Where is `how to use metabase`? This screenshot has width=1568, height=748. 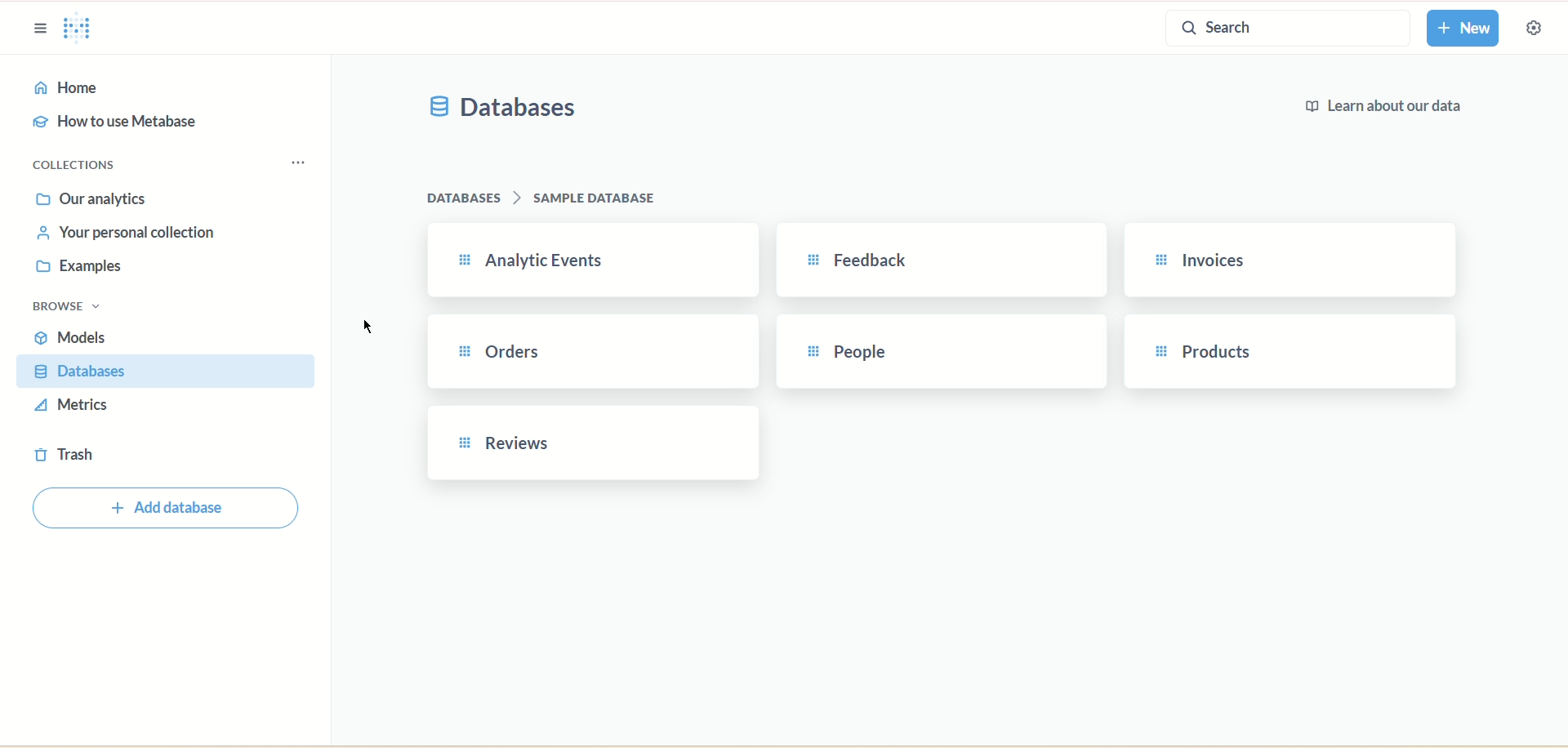 how to use metabase is located at coordinates (114, 122).